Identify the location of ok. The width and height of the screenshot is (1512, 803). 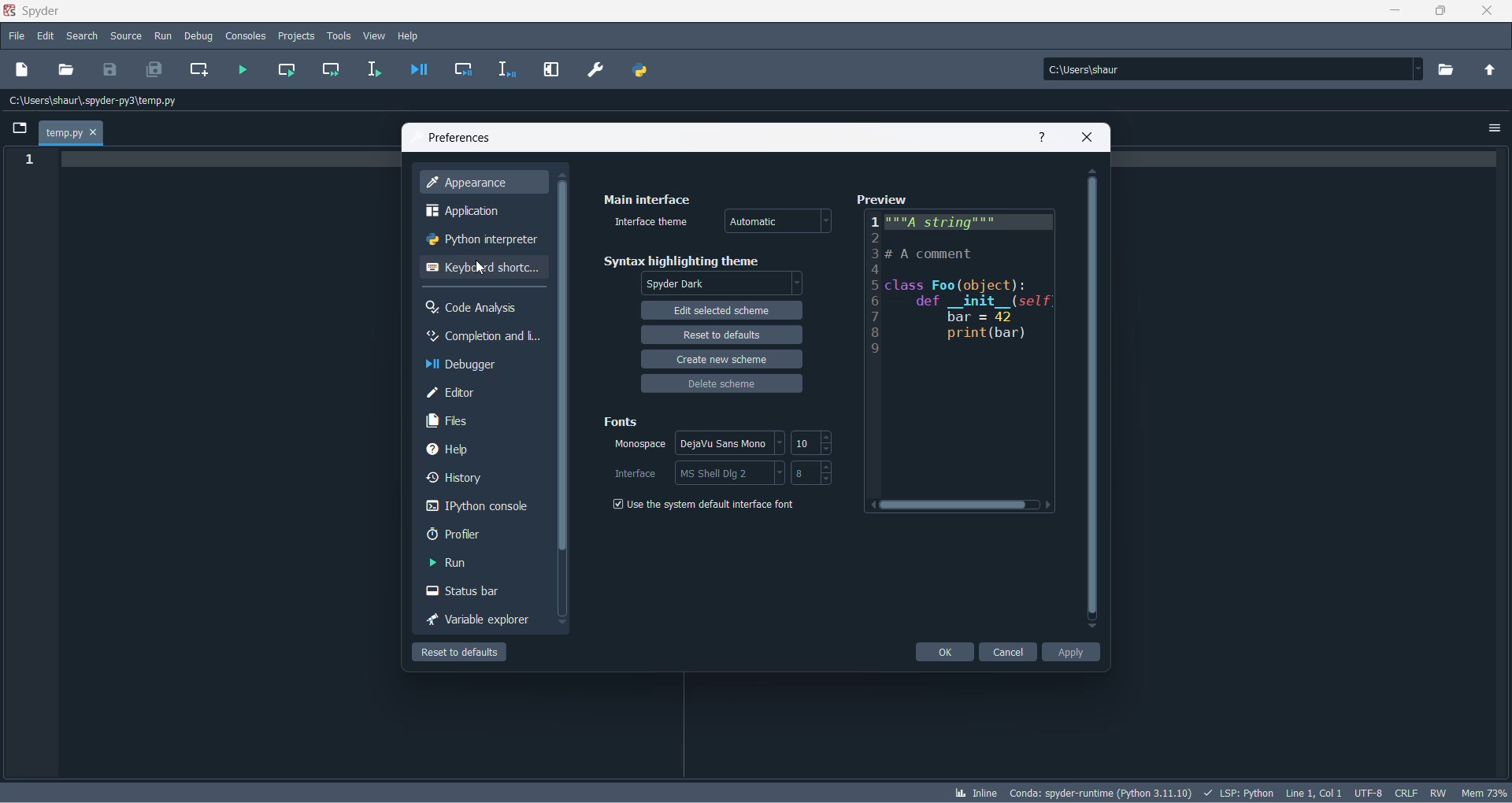
(944, 652).